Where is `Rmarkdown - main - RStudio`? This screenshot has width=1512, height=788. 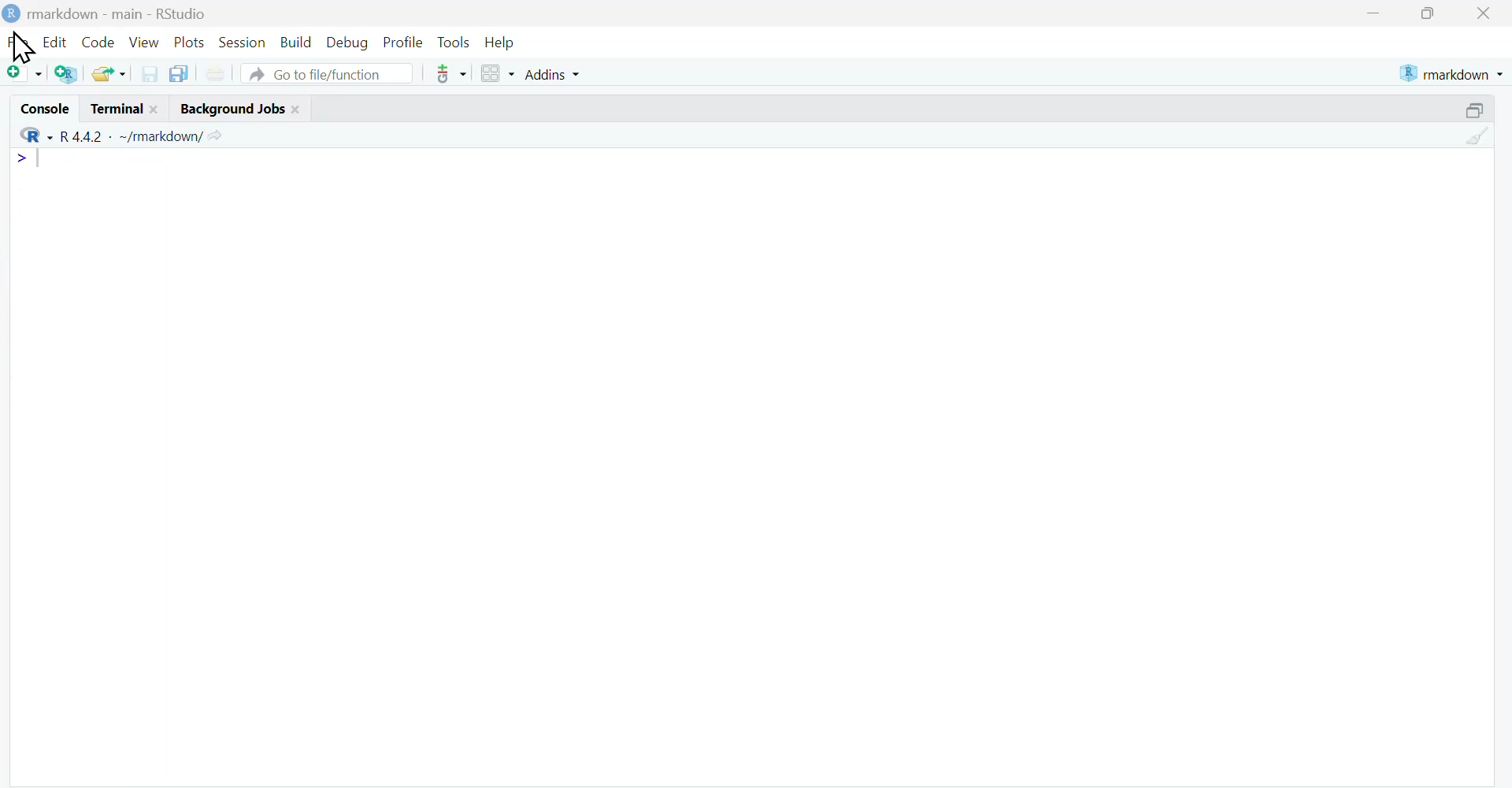
Rmarkdown - main - RStudio is located at coordinates (122, 13).